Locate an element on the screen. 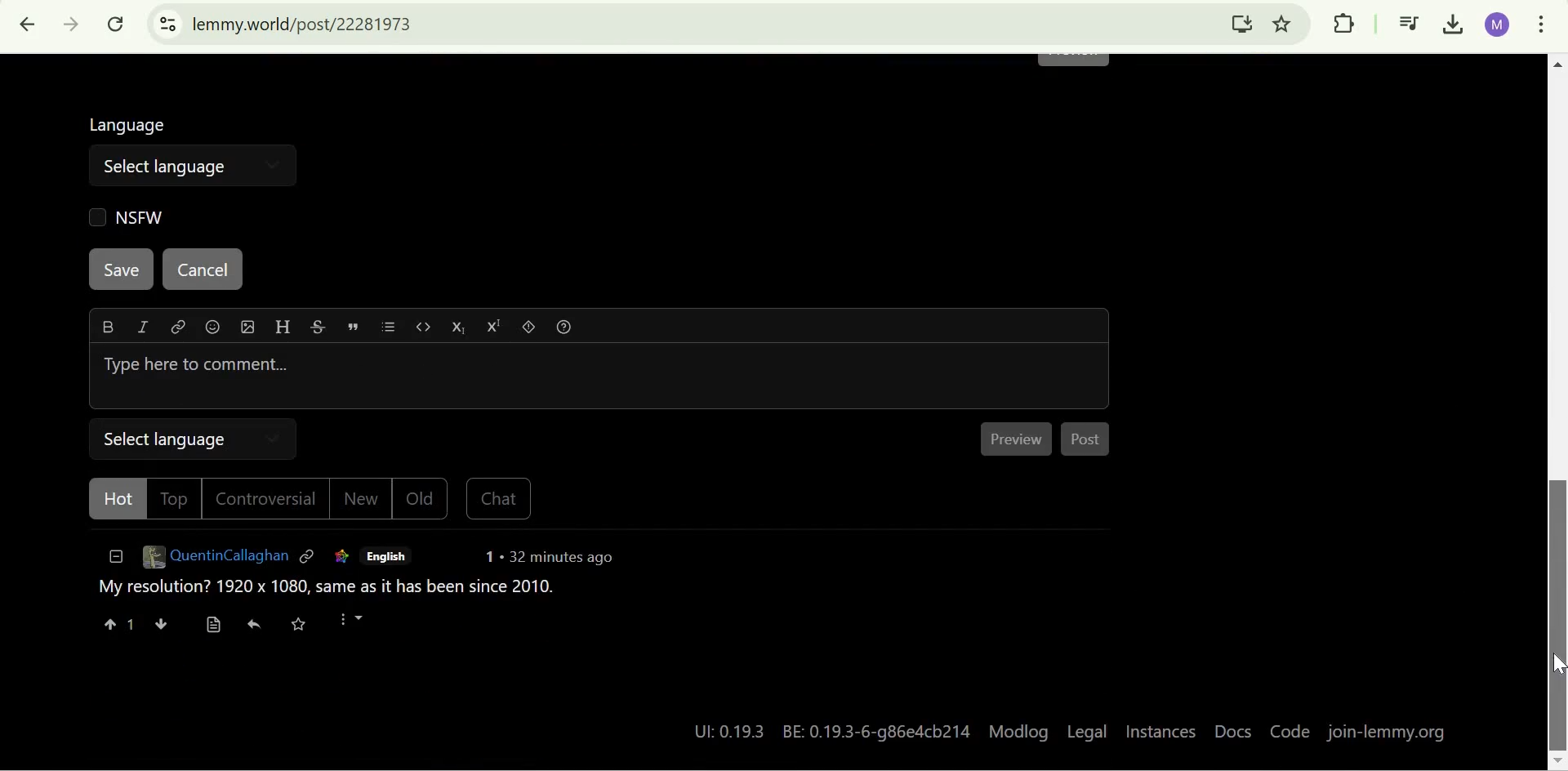 The height and width of the screenshot is (771, 1568). Type here to comment... is located at coordinates (599, 377).